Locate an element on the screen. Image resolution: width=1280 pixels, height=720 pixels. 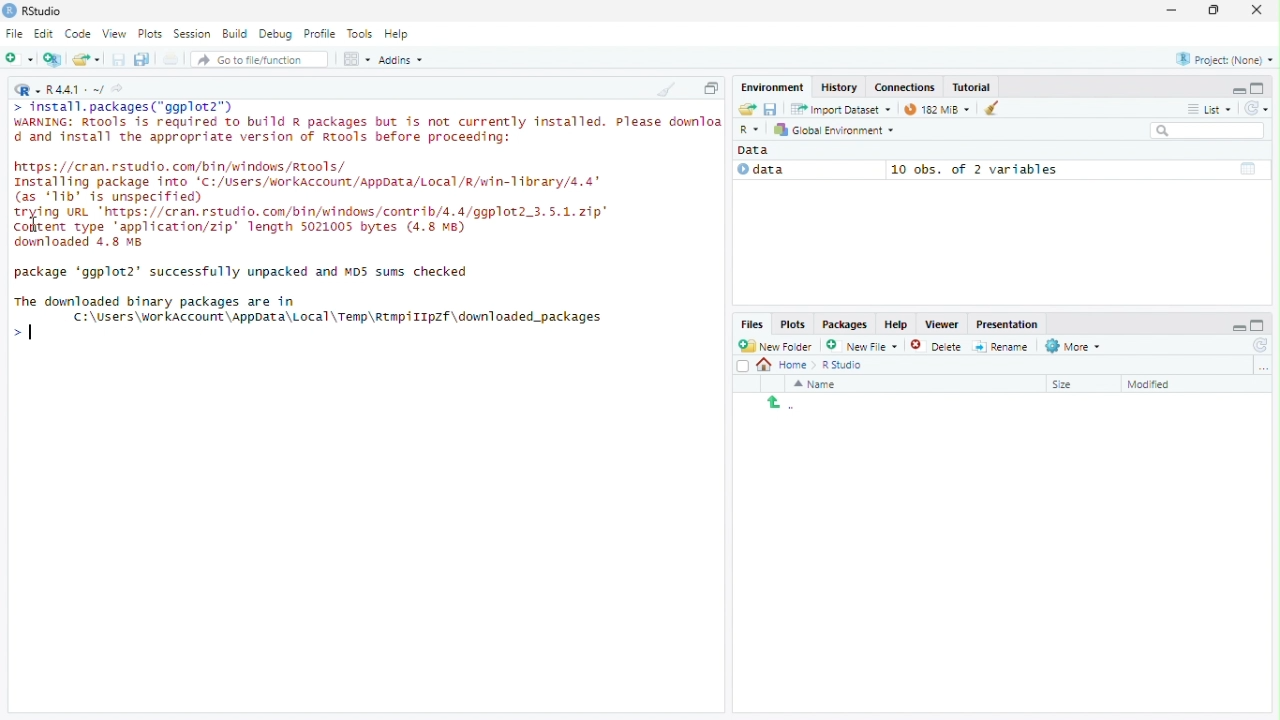
View current working directory is located at coordinates (120, 88).